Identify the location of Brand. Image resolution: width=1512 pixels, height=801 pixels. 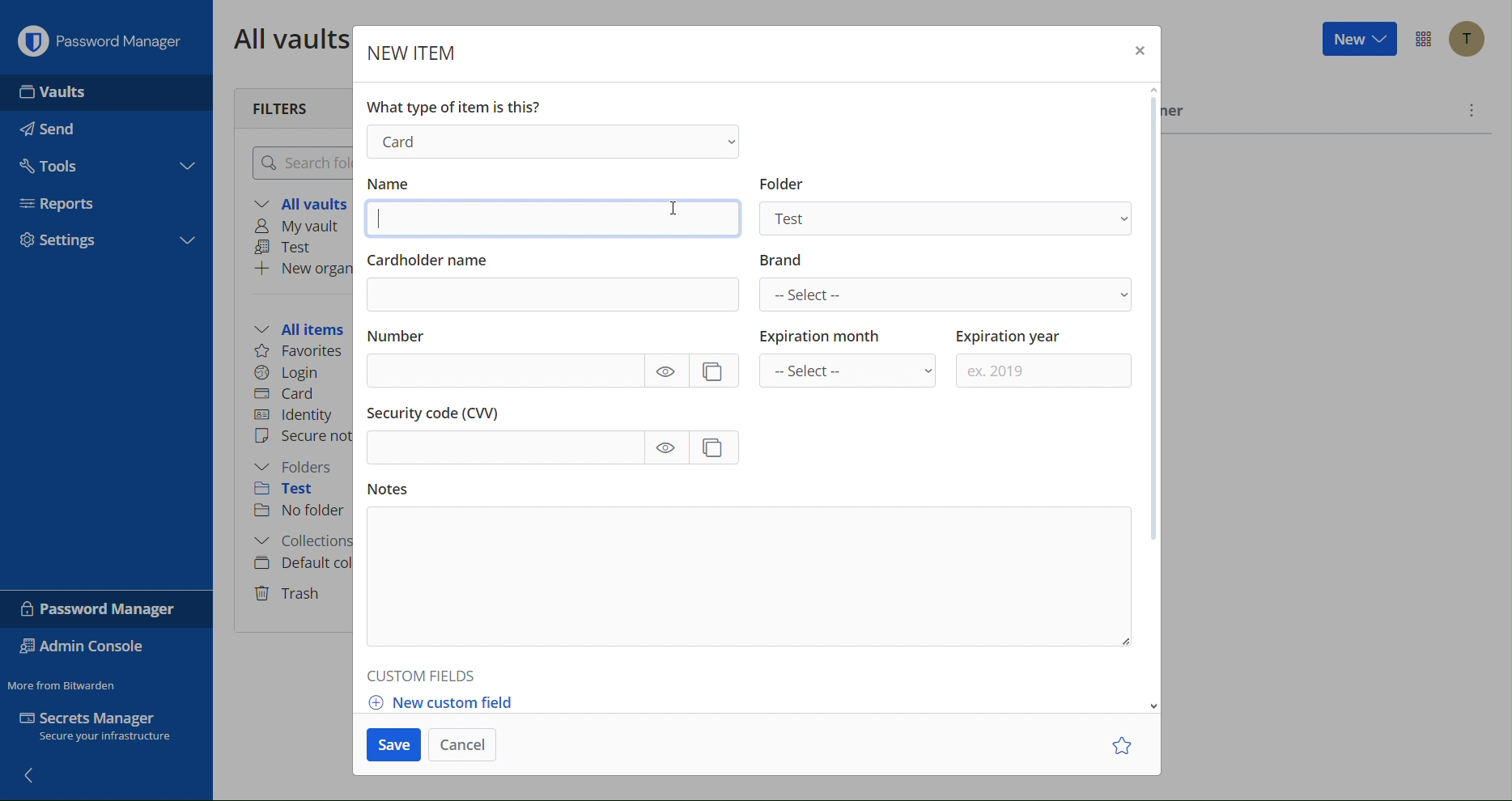
(945, 283).